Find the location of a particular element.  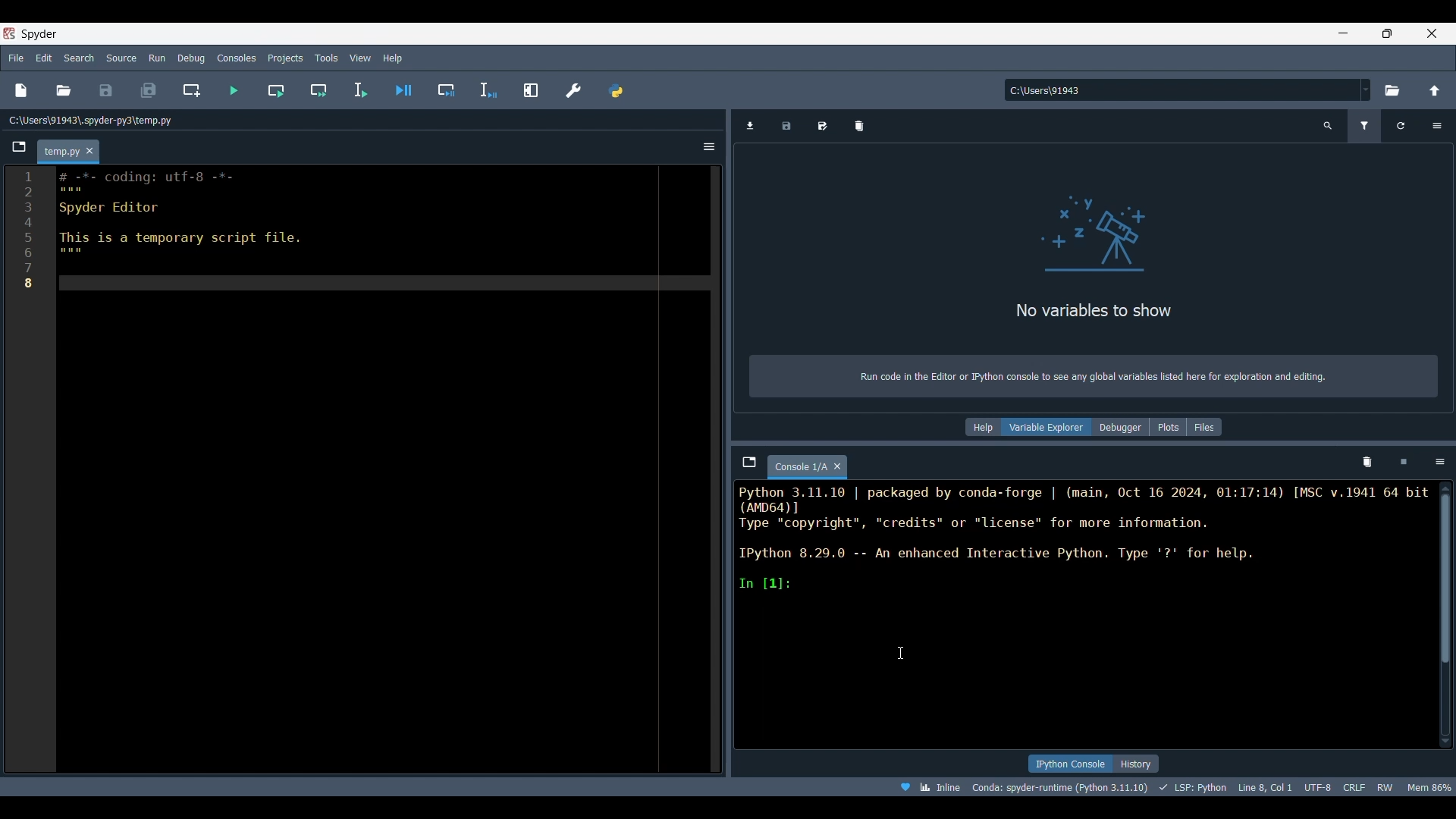

inline is located at coordinates (925, 786).